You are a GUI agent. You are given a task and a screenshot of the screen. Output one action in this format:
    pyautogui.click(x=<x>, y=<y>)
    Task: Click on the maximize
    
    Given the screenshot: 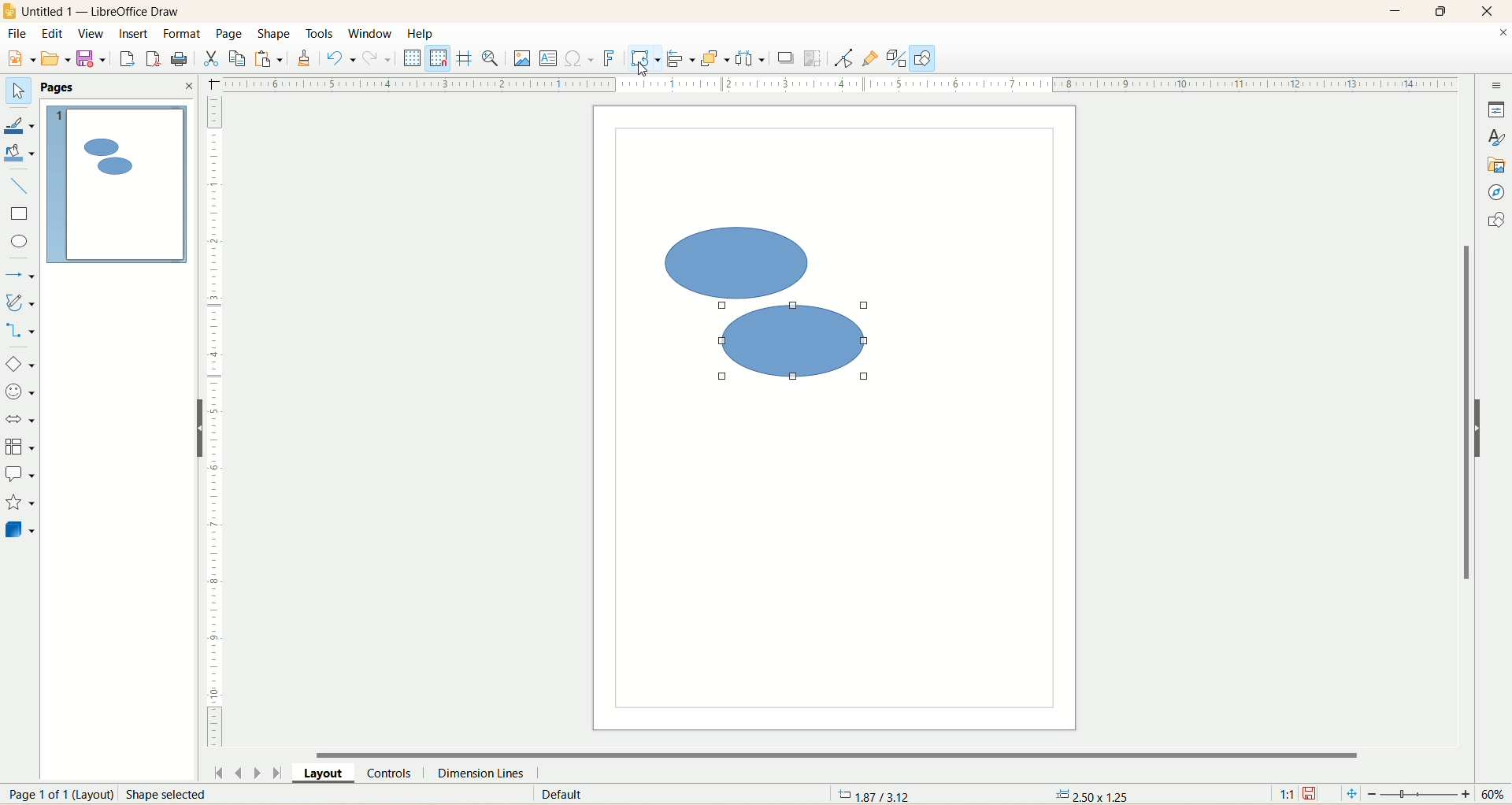 What is the action you would take?
    pyautogui.click(x=1440, y=11)
    